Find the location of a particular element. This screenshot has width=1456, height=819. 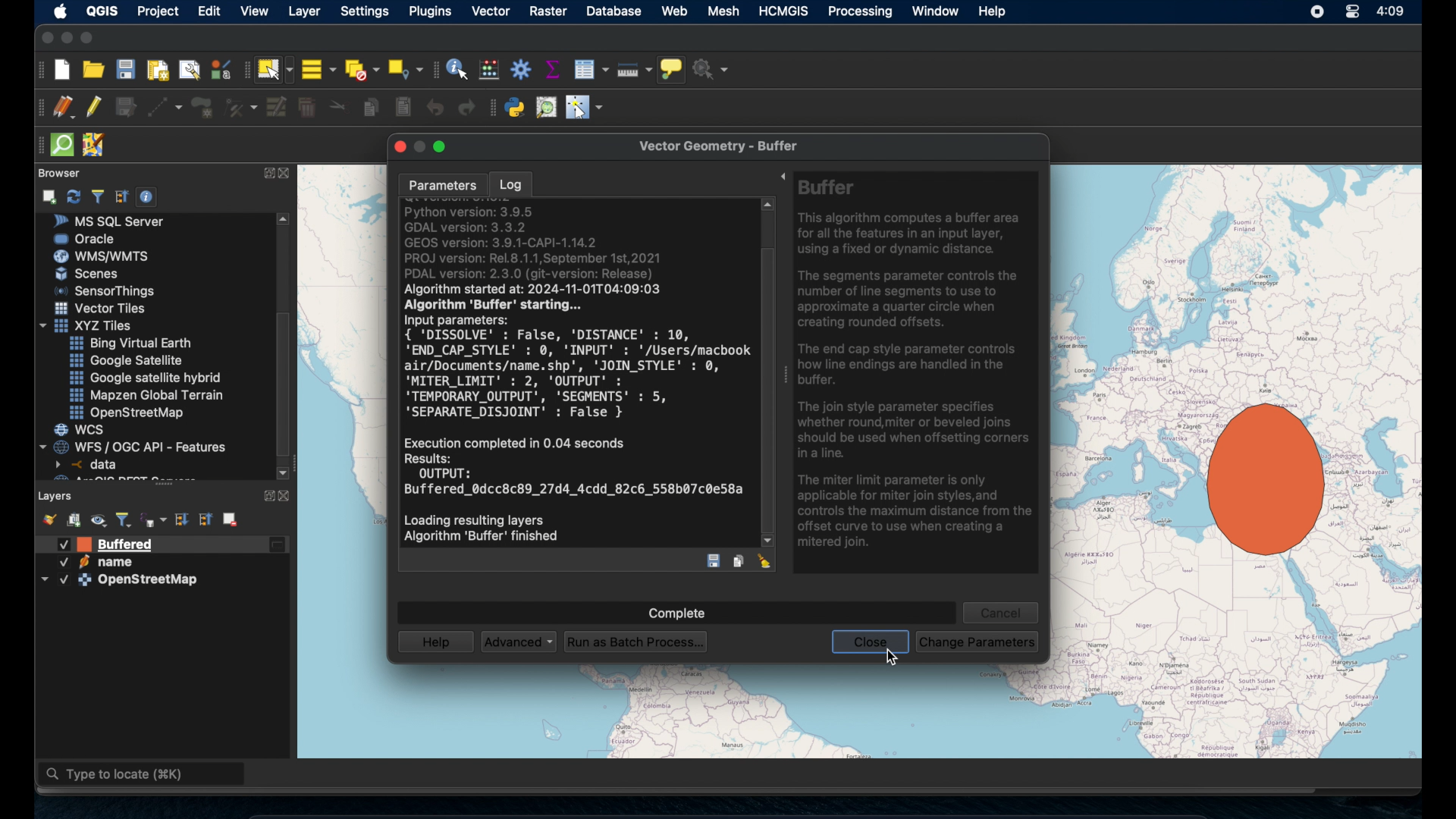

mapzen global terrain is located at coordinates (147, 394).